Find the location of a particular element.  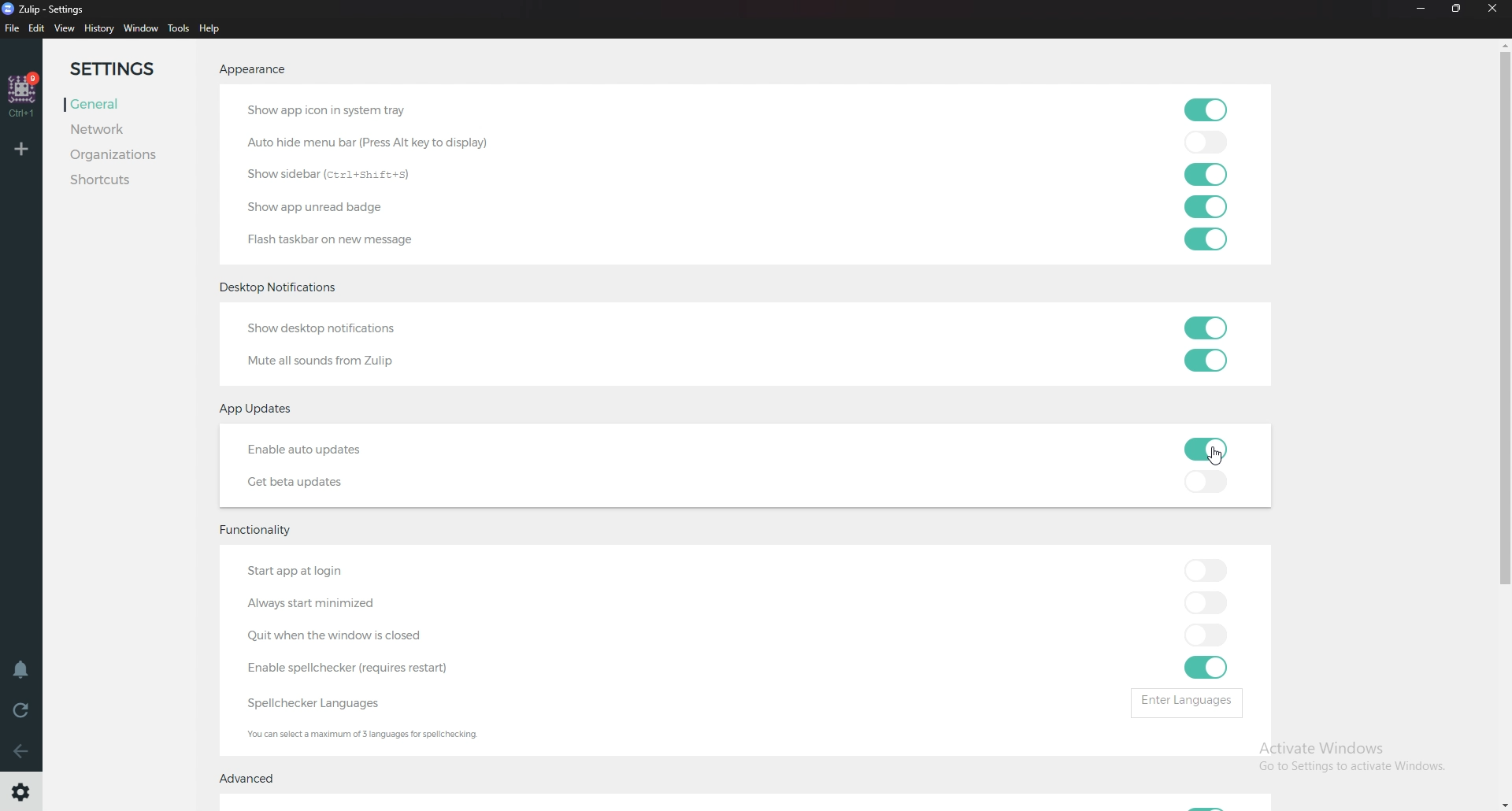

flashtaskbar is located at coordinates (345, 239).